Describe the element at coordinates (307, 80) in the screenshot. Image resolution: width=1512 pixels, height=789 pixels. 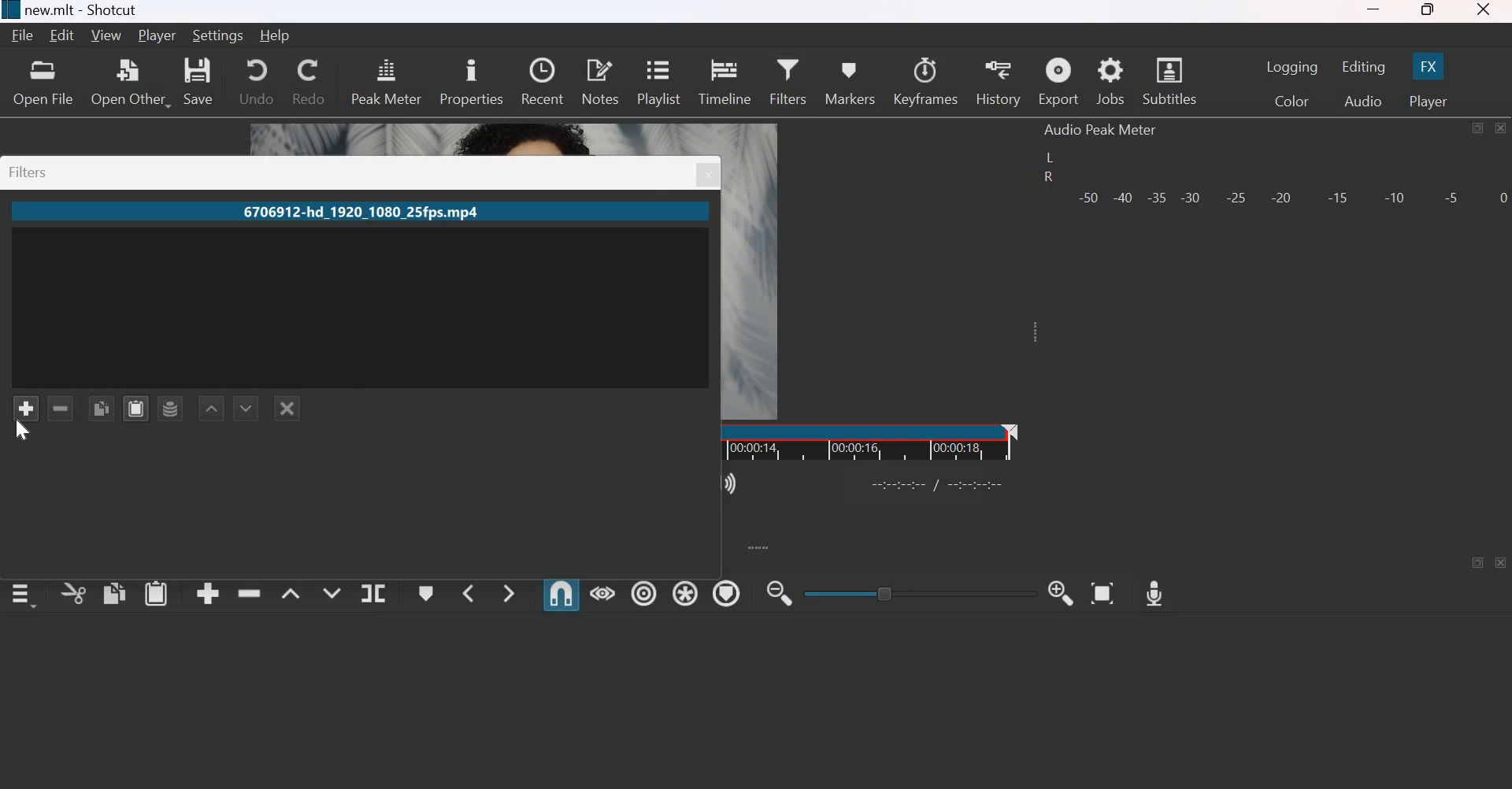
I see `redo` at that location.